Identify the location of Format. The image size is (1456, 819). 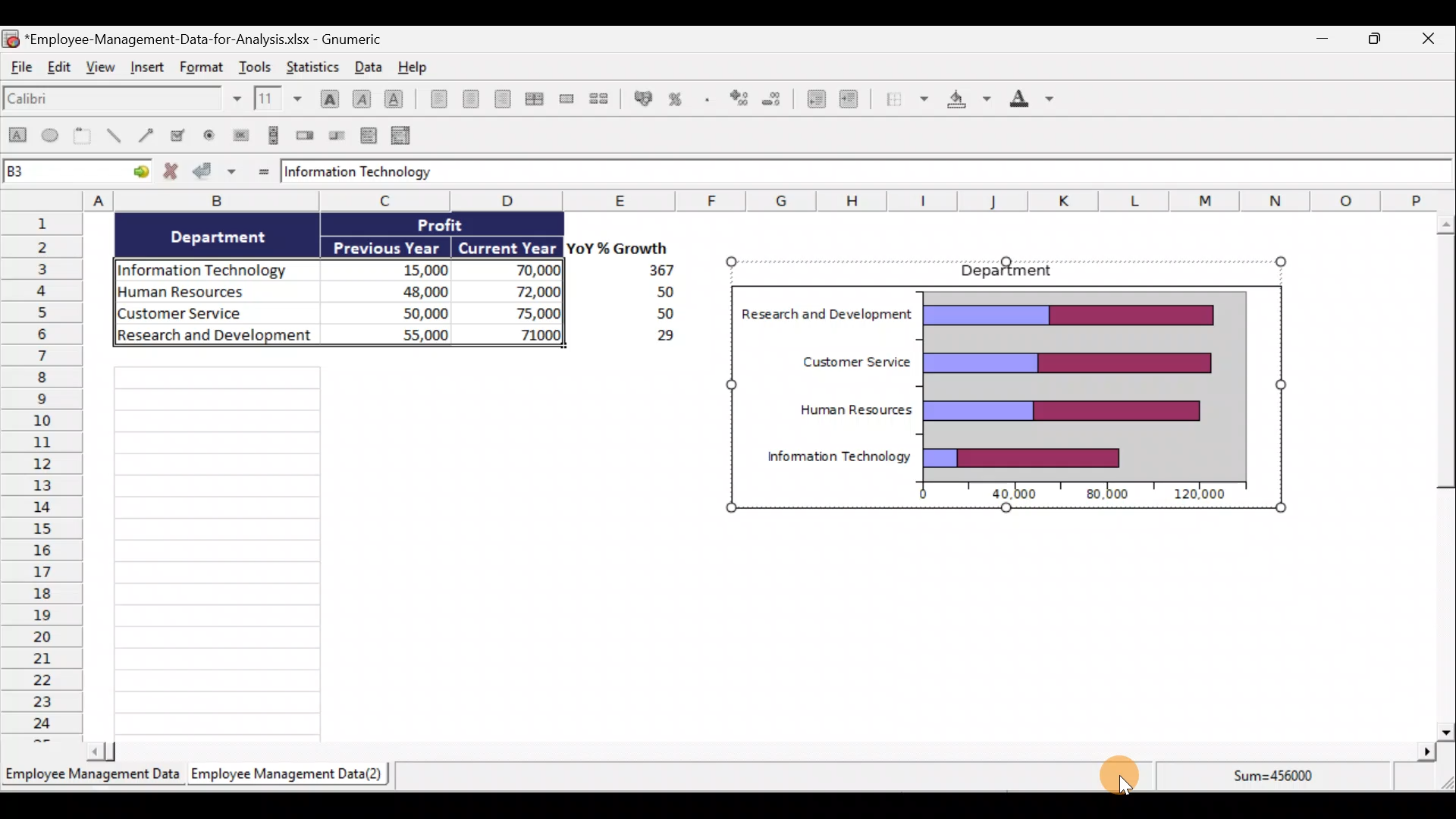
(199, 68).